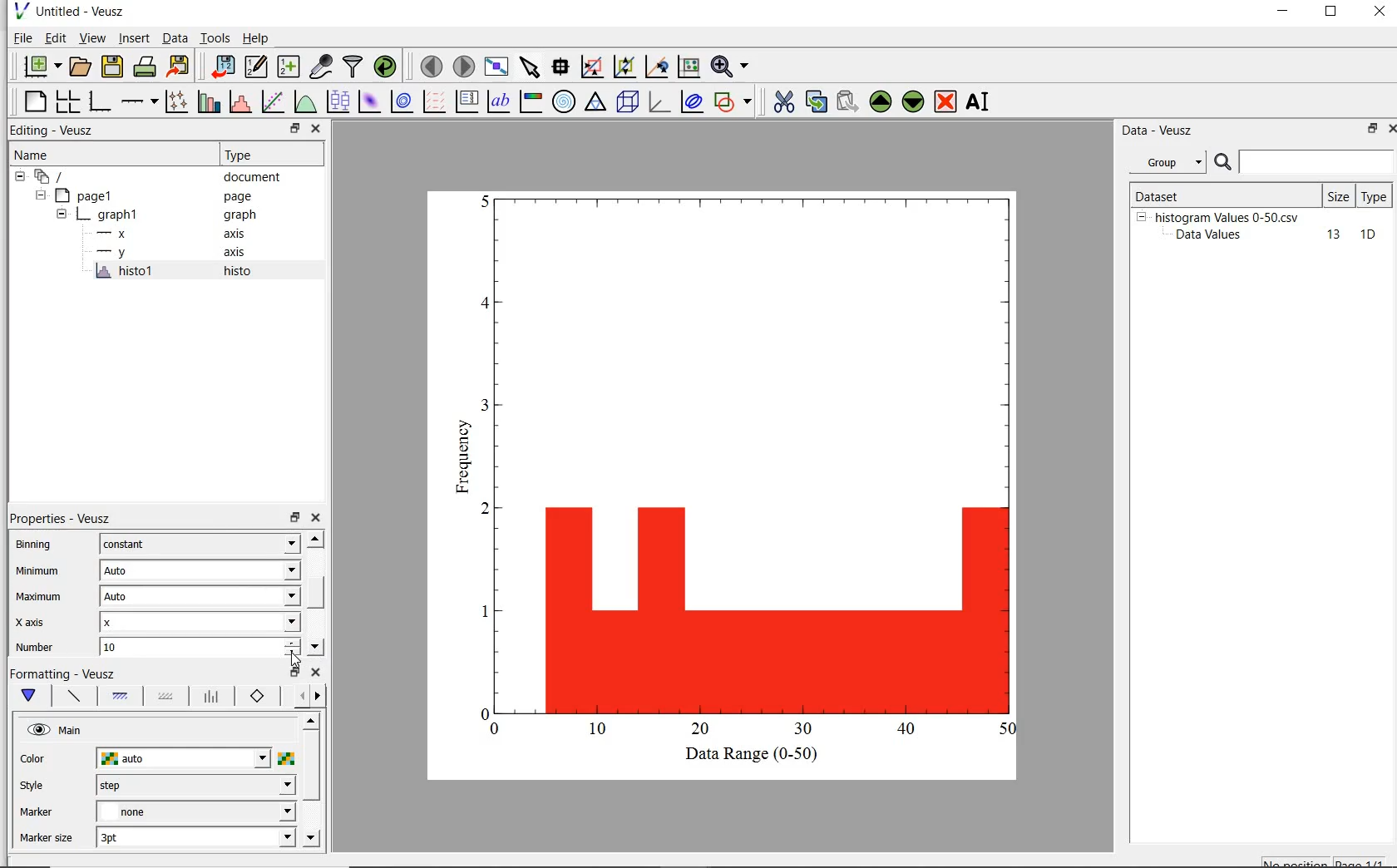 The height and width of the screenshot is (868, 1397). Describe the element at coordinates (1380, 12) in the screenshot. I see `close` at that location.